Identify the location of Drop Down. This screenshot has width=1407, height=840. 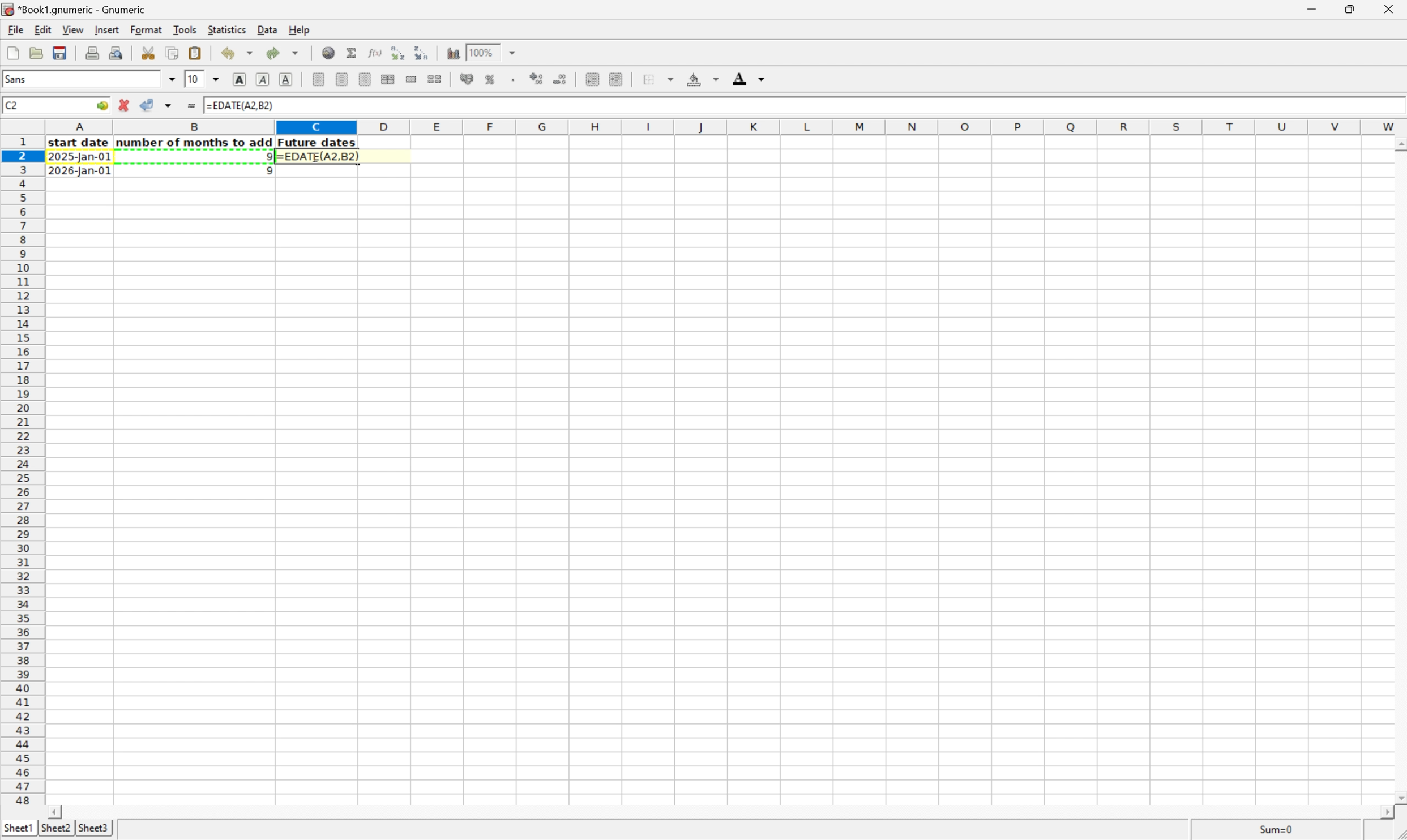
(517, 53).